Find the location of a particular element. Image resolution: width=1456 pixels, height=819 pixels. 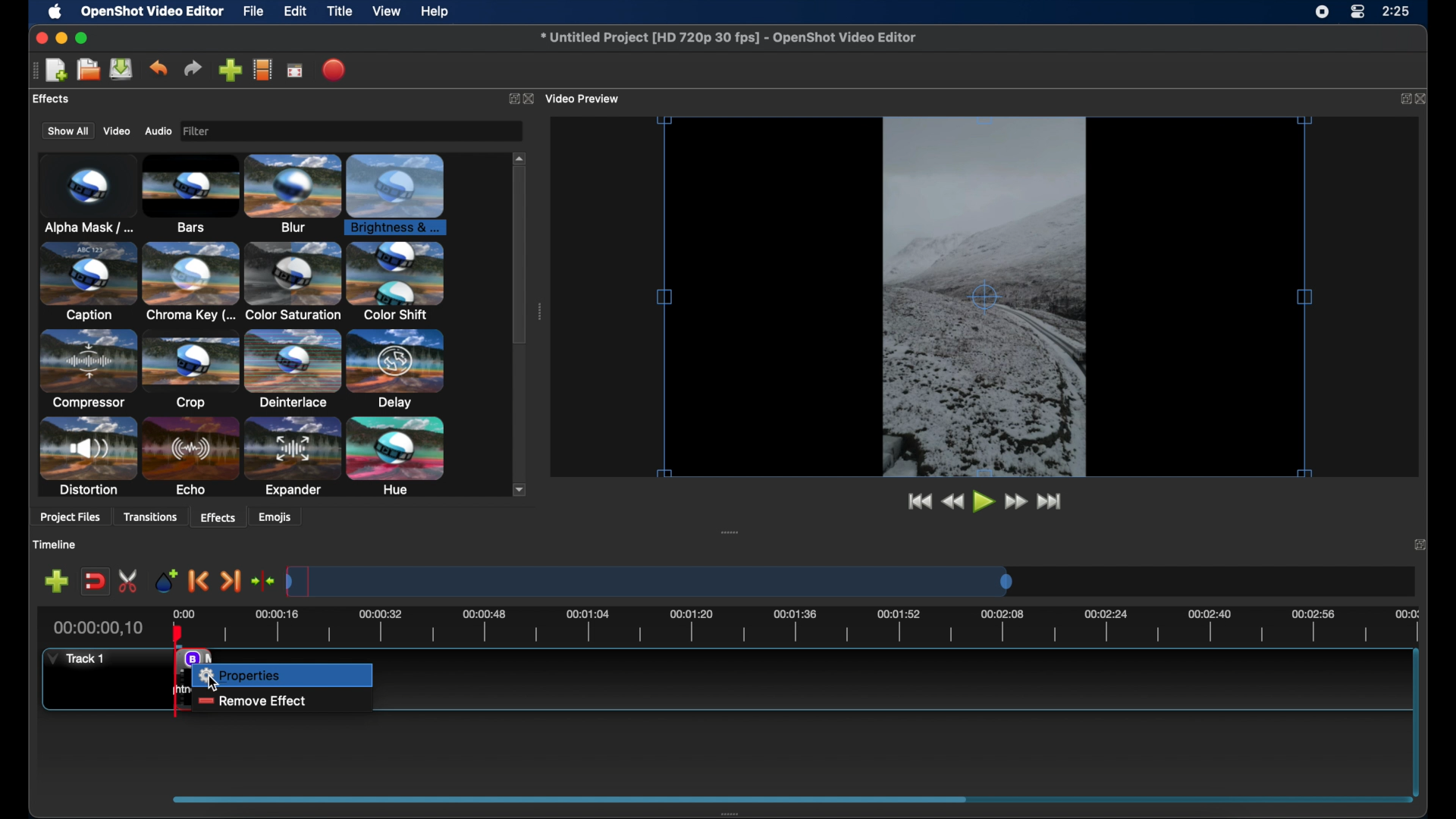

close is located at coordinates (1420, 543).